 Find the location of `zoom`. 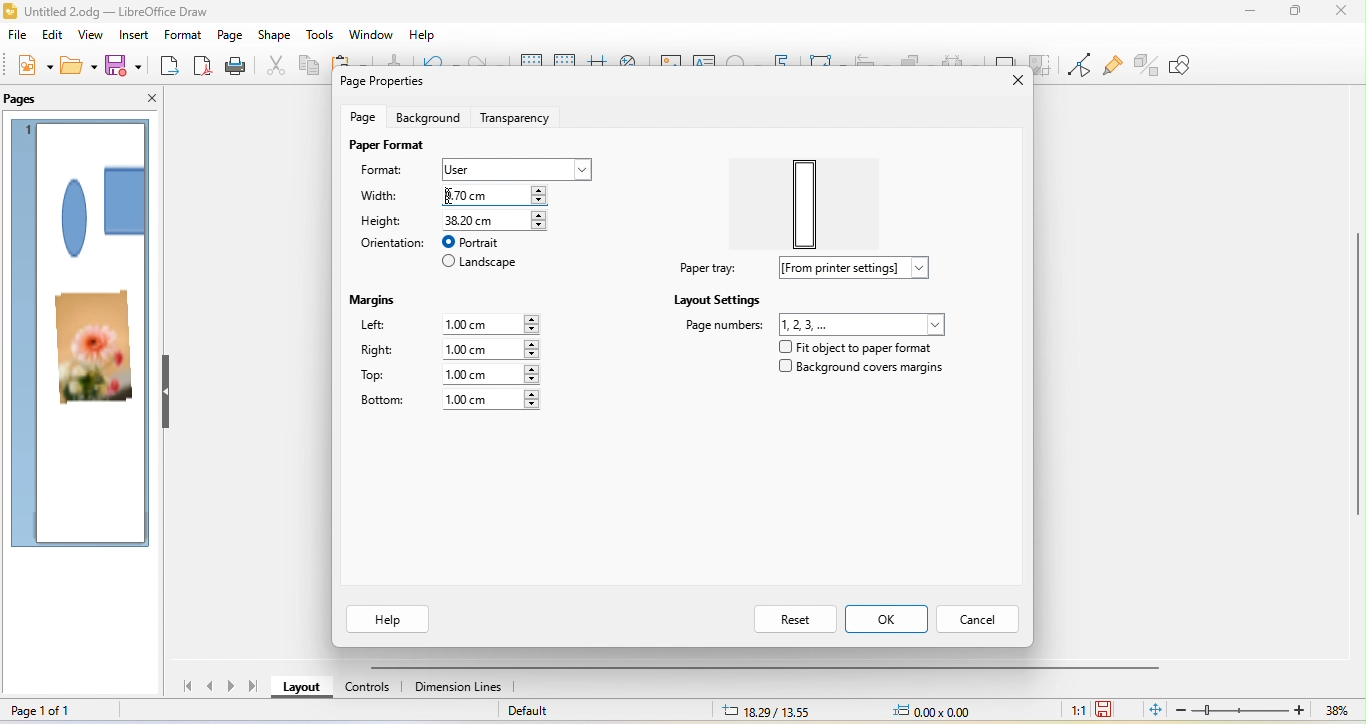

zoom is located at coordinates (1265, 711).